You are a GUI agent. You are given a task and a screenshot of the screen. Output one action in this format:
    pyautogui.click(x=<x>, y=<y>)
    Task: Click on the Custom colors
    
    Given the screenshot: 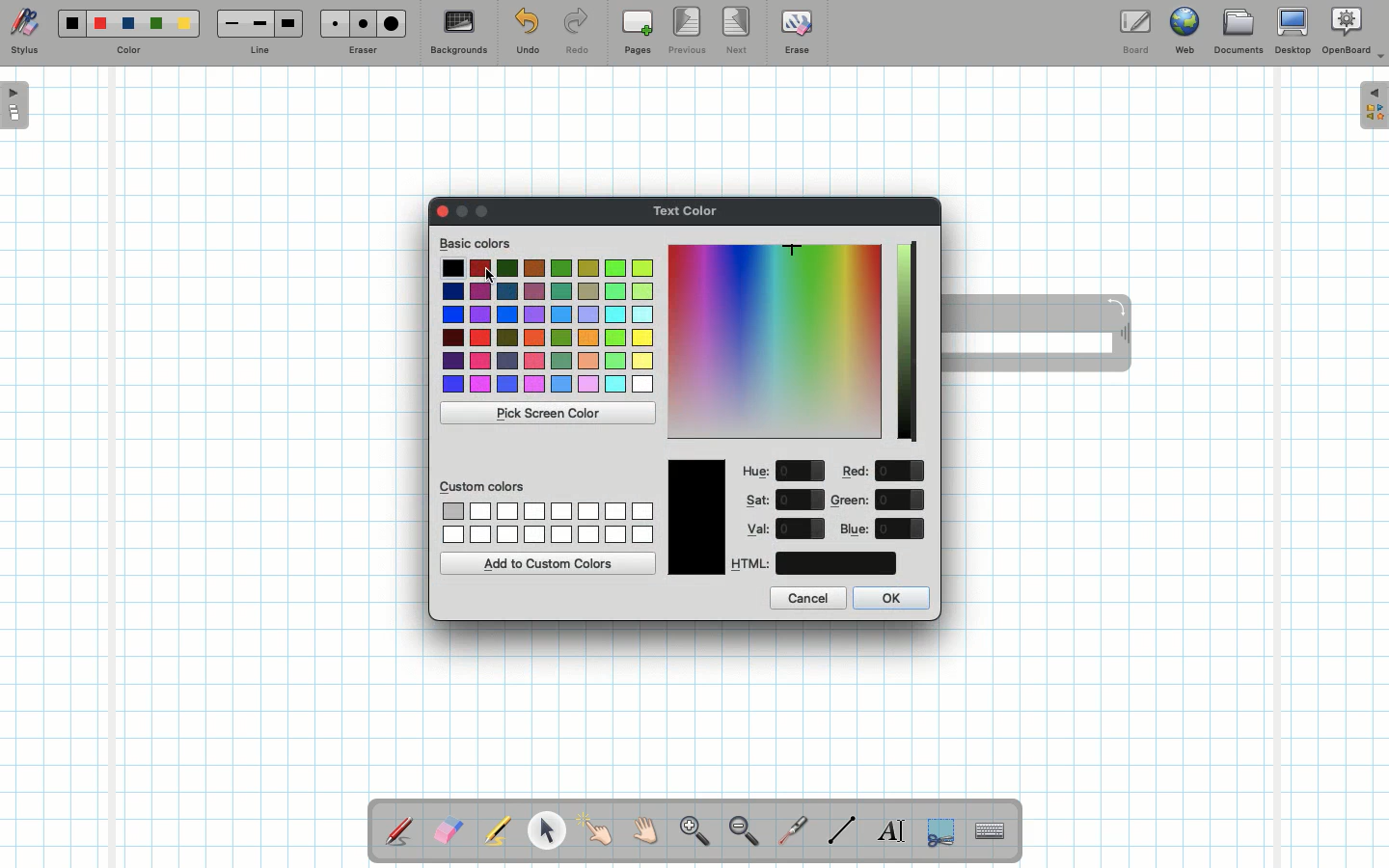 What is the action you would take?
    pyautogui.click(x=484, y=485)
    